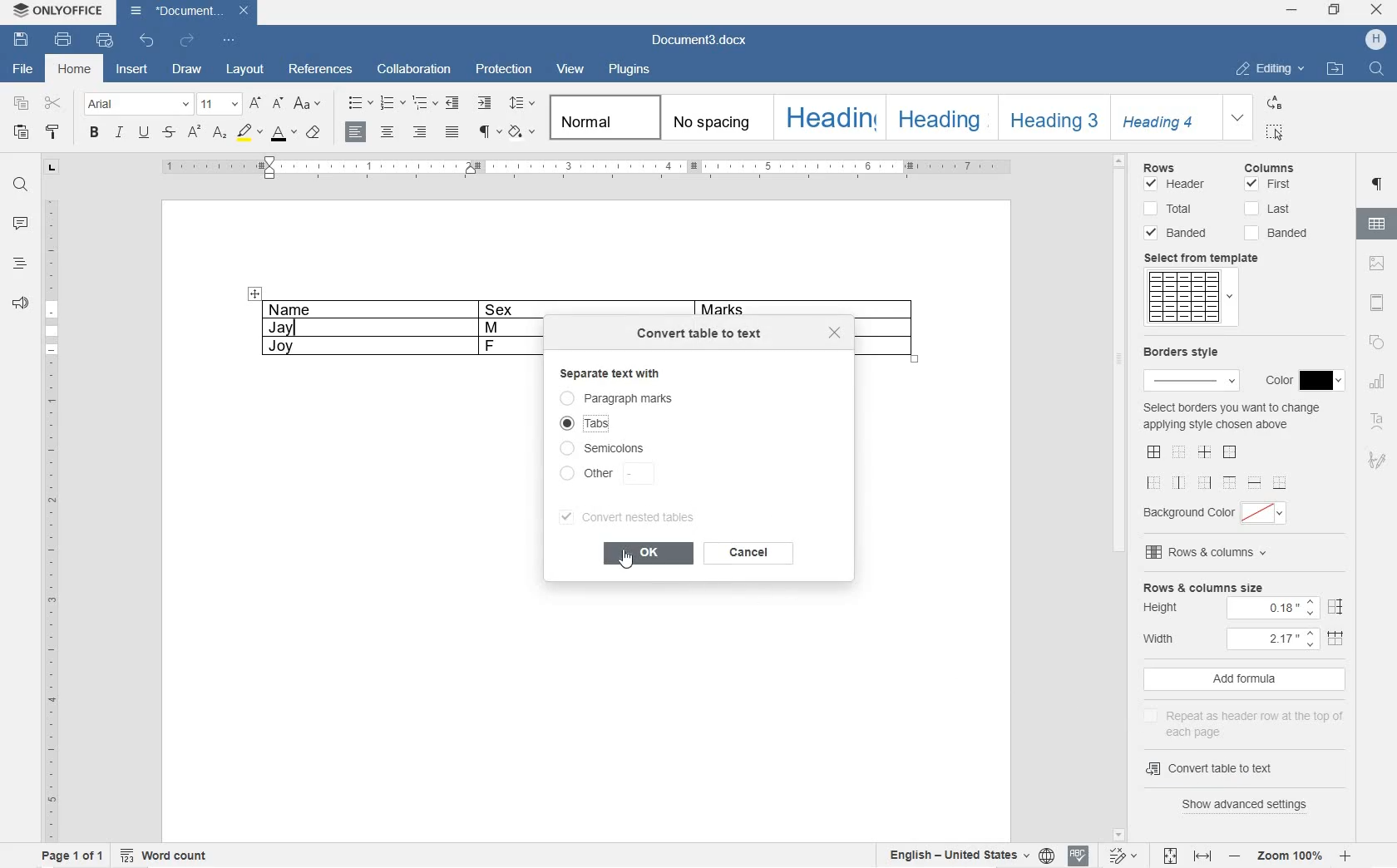 This screenshot has width=1397, height=868. Describe the element at coordinates (484, 102) in the screenshot. I see `INCREASE INDENT` at that location.